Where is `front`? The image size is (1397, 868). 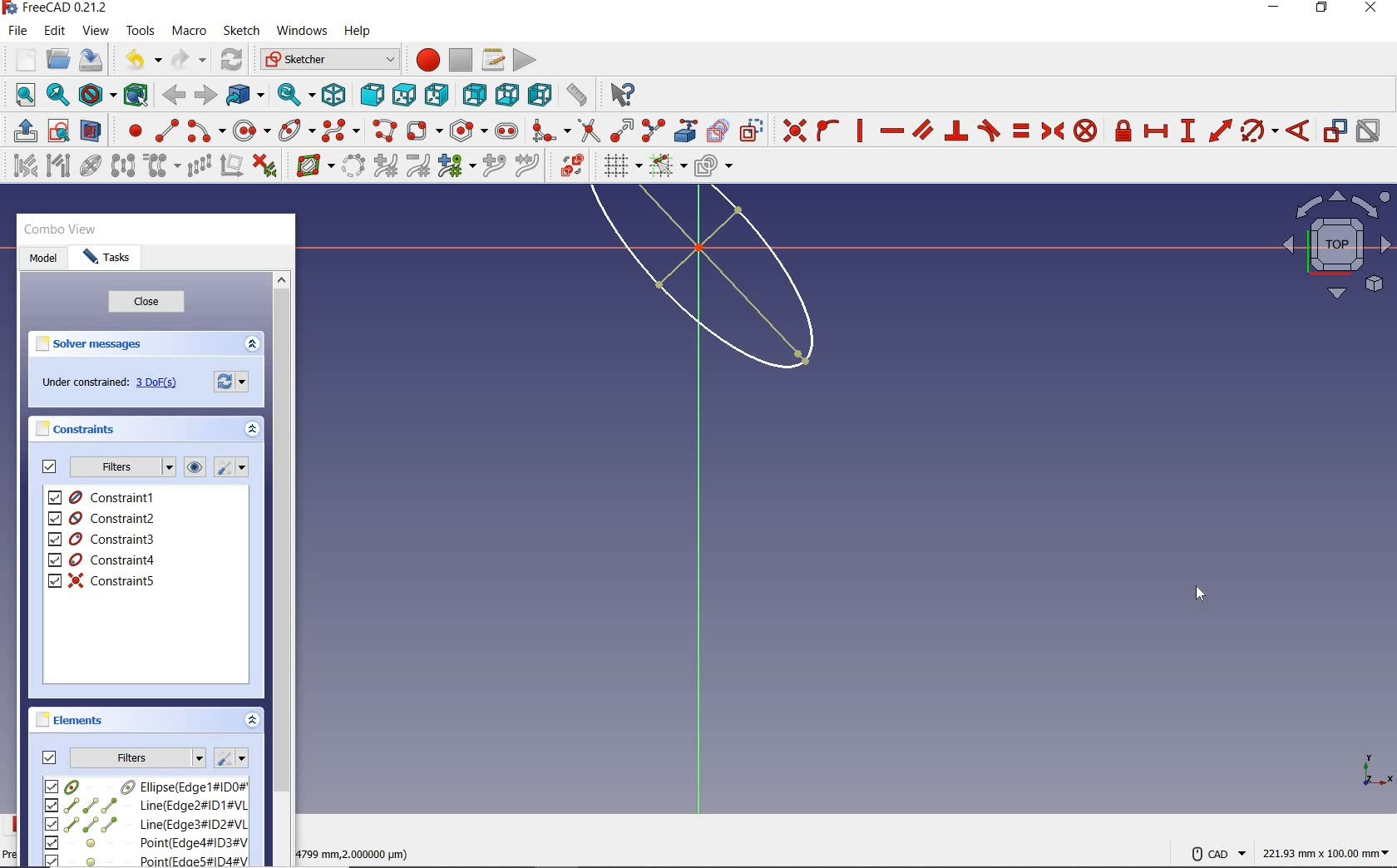 front is located at coordinates (368, 95).